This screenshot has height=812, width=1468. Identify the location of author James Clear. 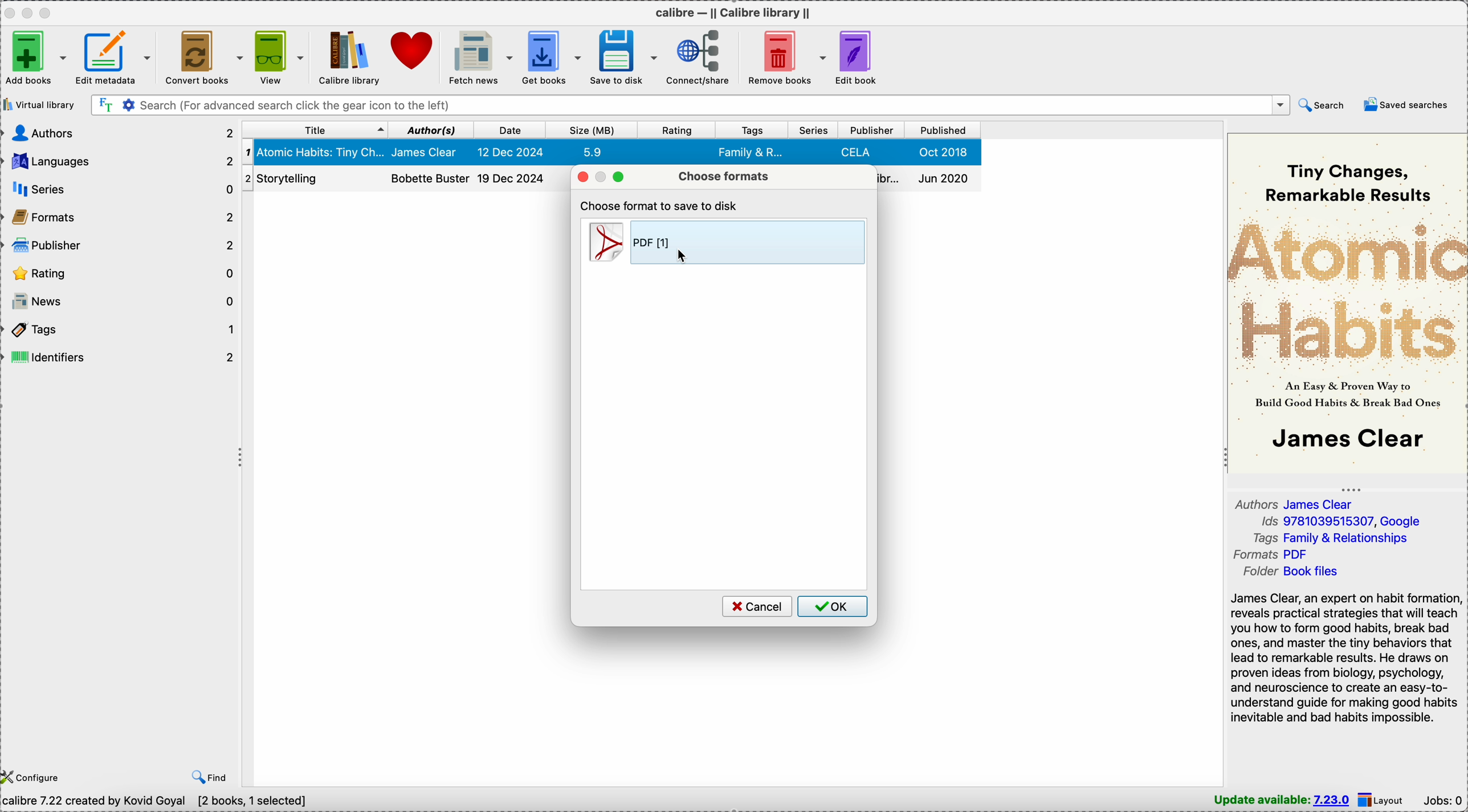
(1294, 503).